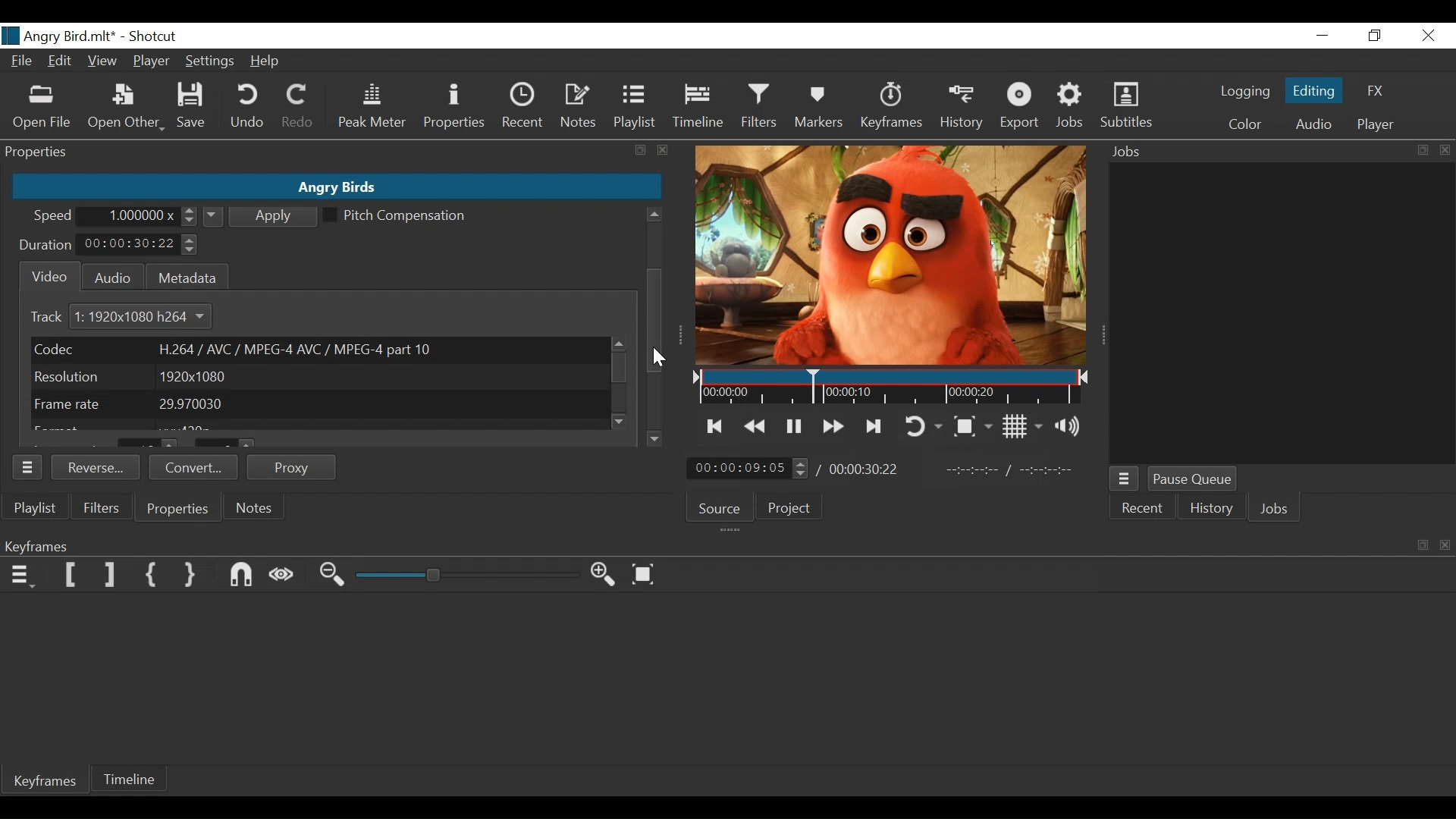 This screenshot has width=1456, height=819. What do you see at coordinates (96, 466) in the screenshot?
I see `Reverse` at bounding box center [96, 466].